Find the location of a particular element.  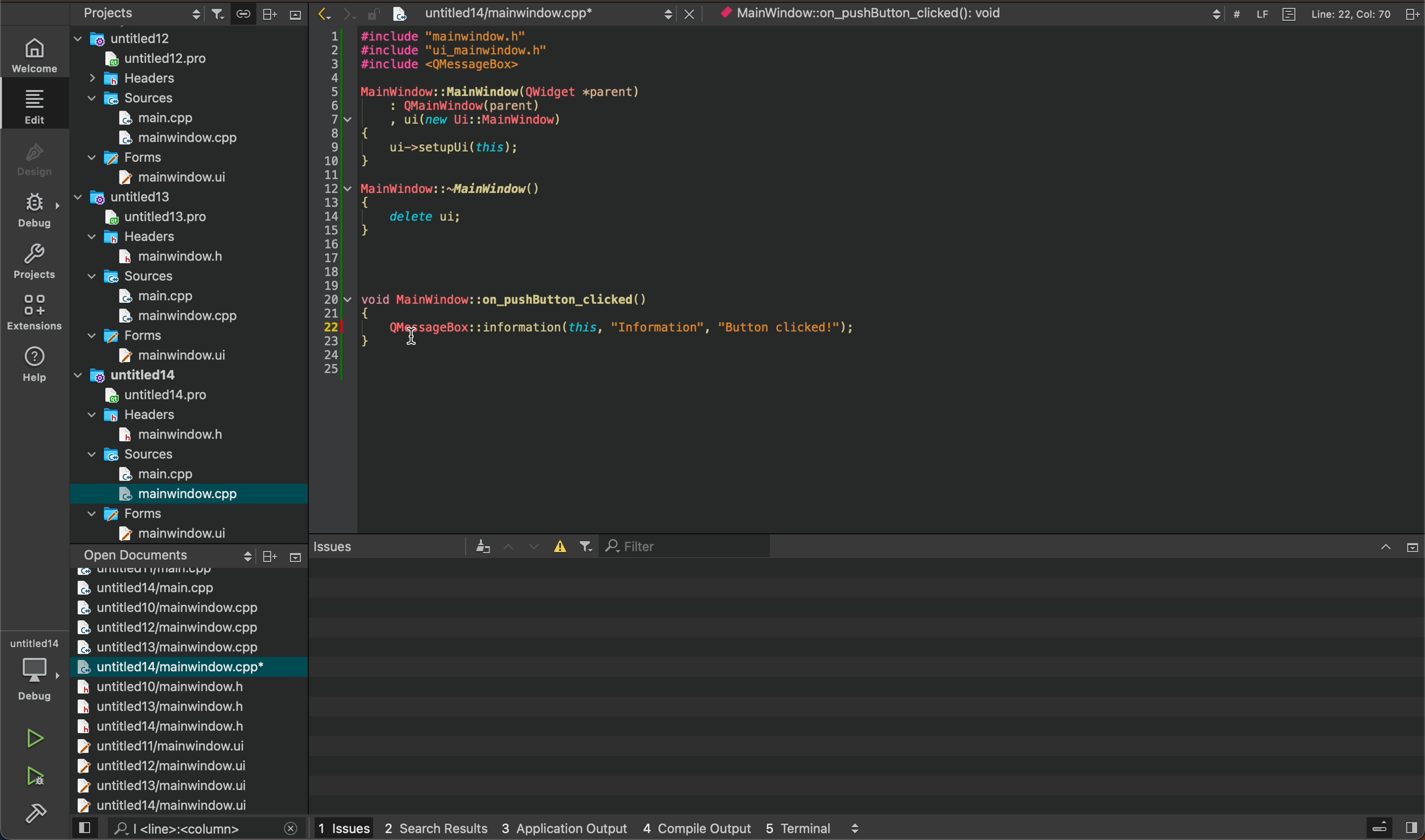

issues is located at coordinates (403, 546).